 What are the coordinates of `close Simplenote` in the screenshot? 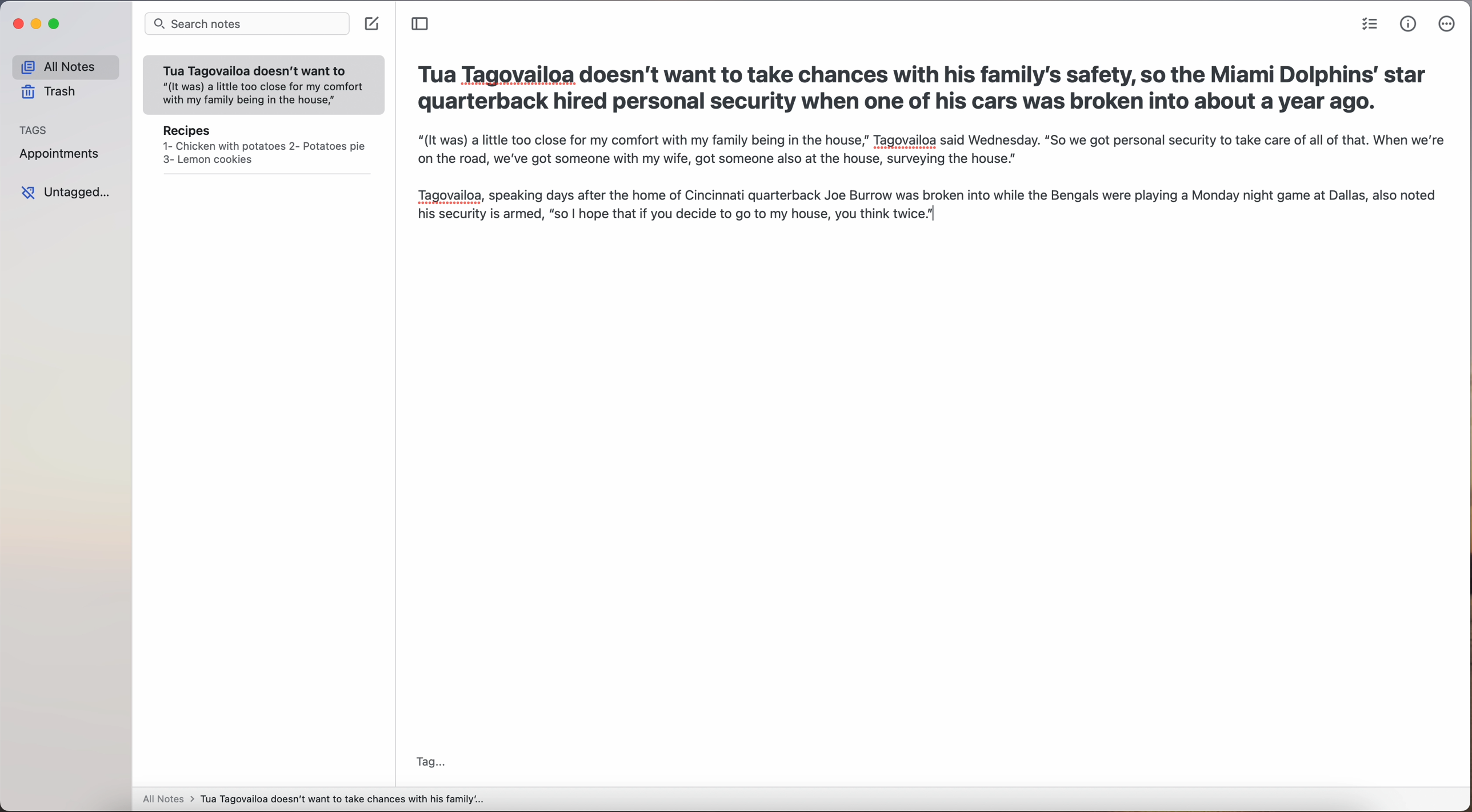 It's located at (17, 23).